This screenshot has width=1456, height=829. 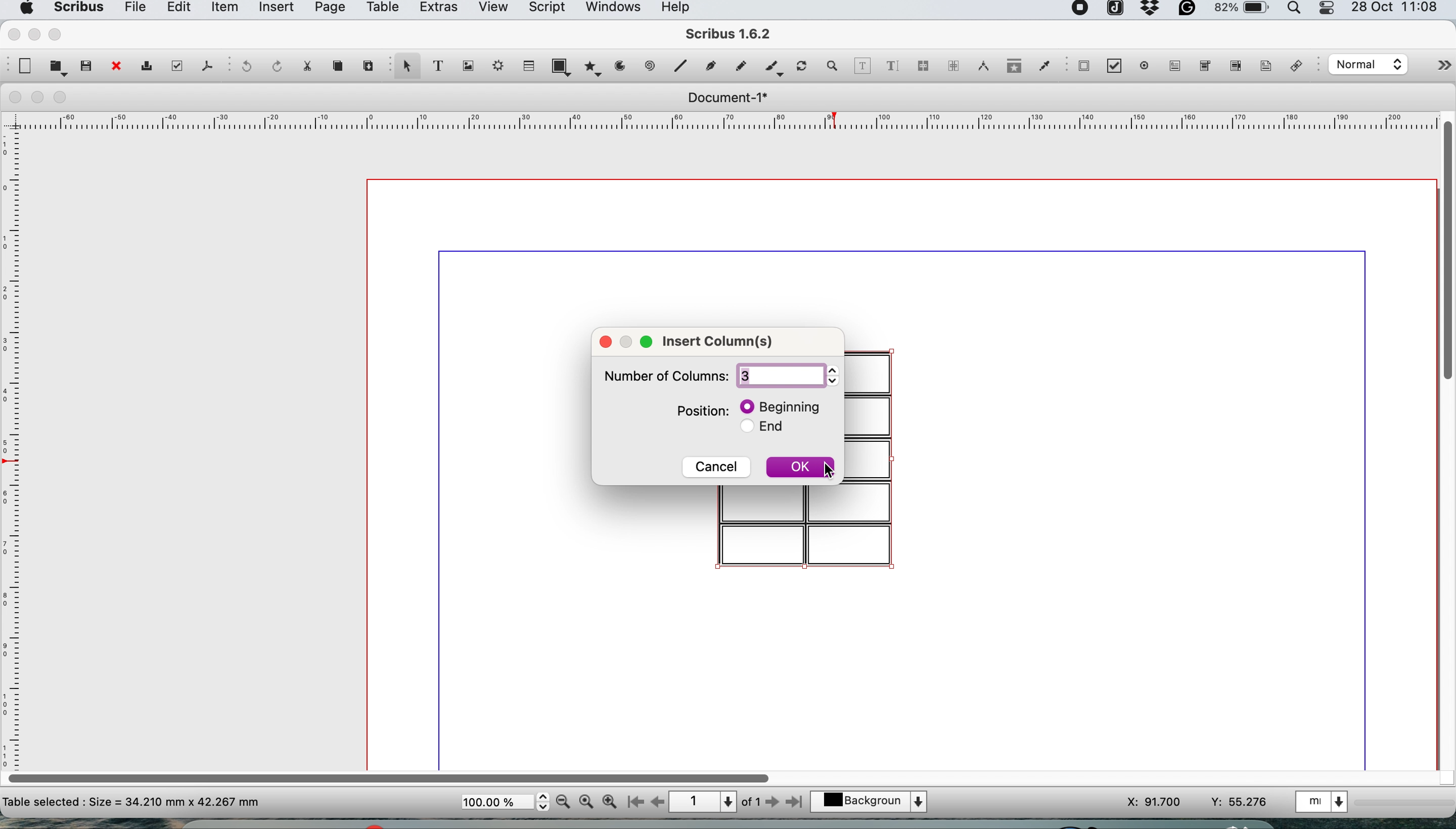 What do you see at coordinates (145, 68) in the screenshot?
I see `print` at bounding box center [145, 68].